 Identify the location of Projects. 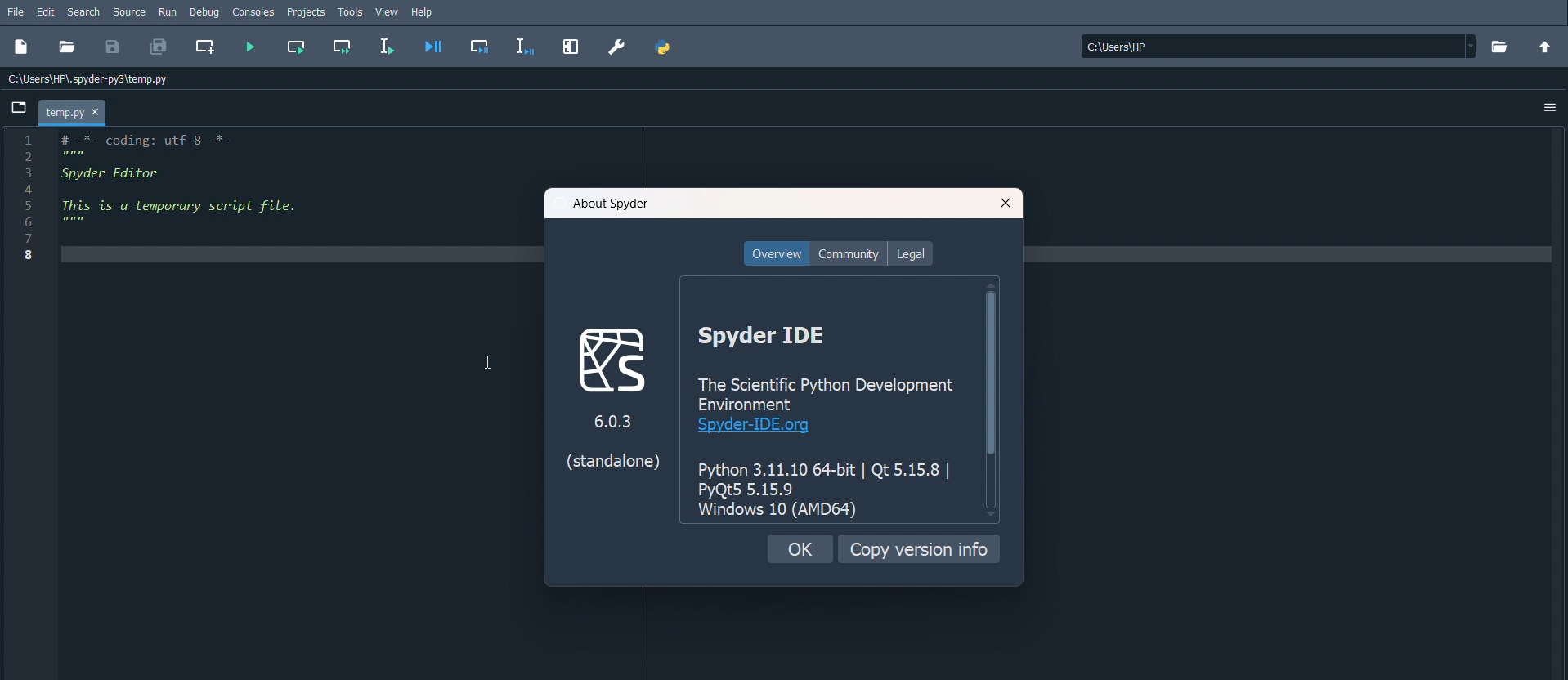
(307, 11).